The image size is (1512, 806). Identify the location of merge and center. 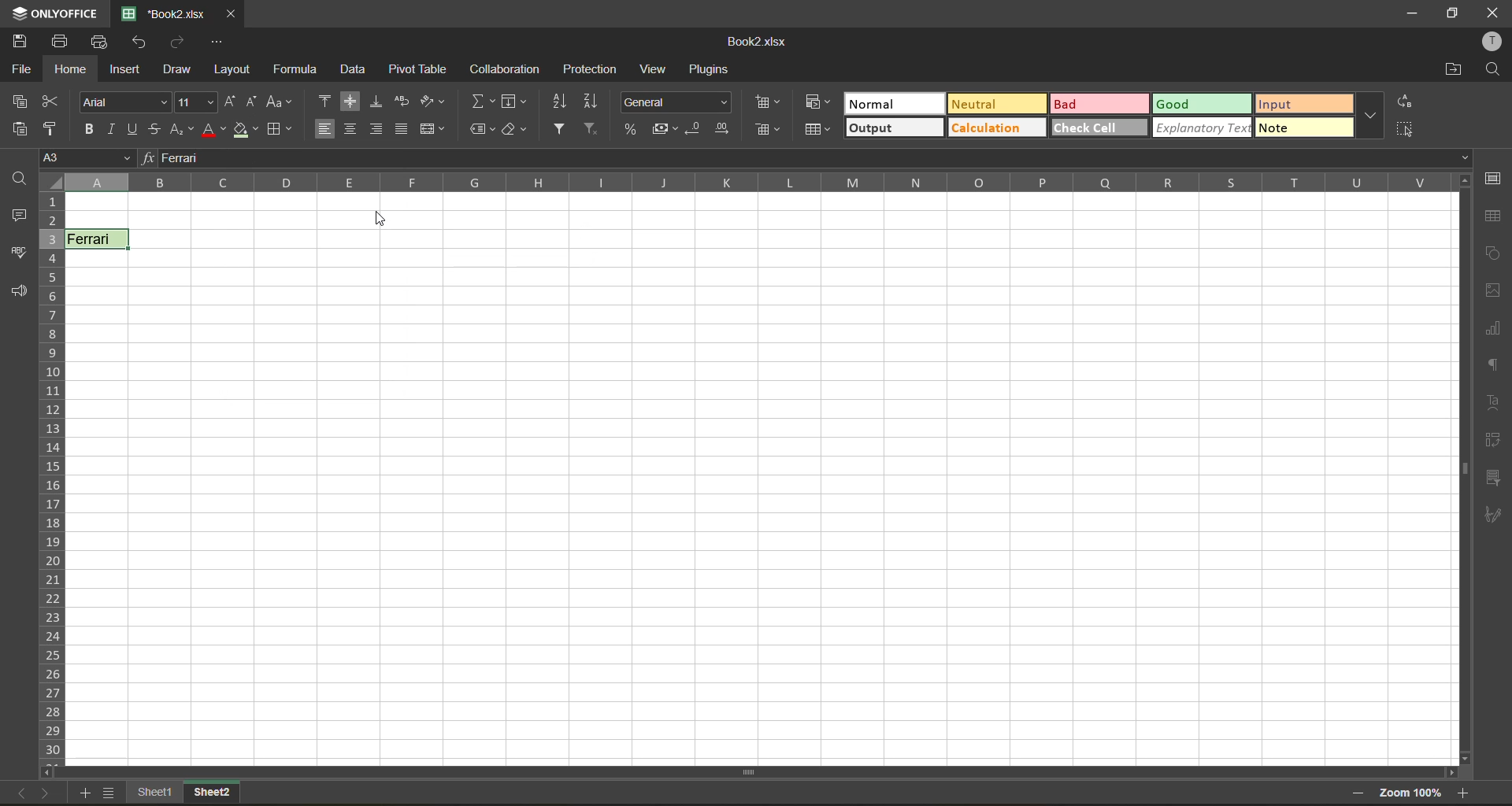
(431, 131).